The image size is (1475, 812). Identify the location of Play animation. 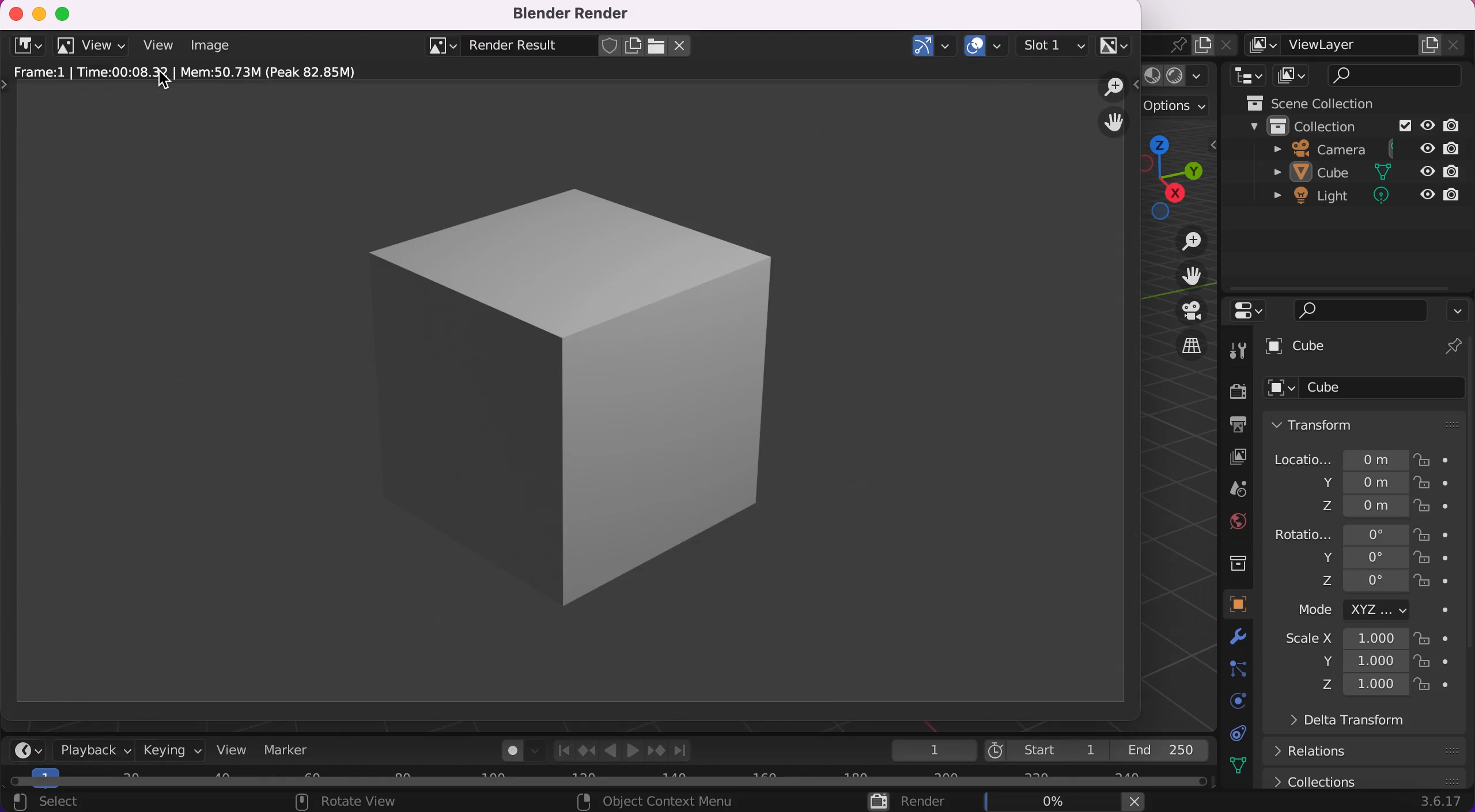
(611, 750).